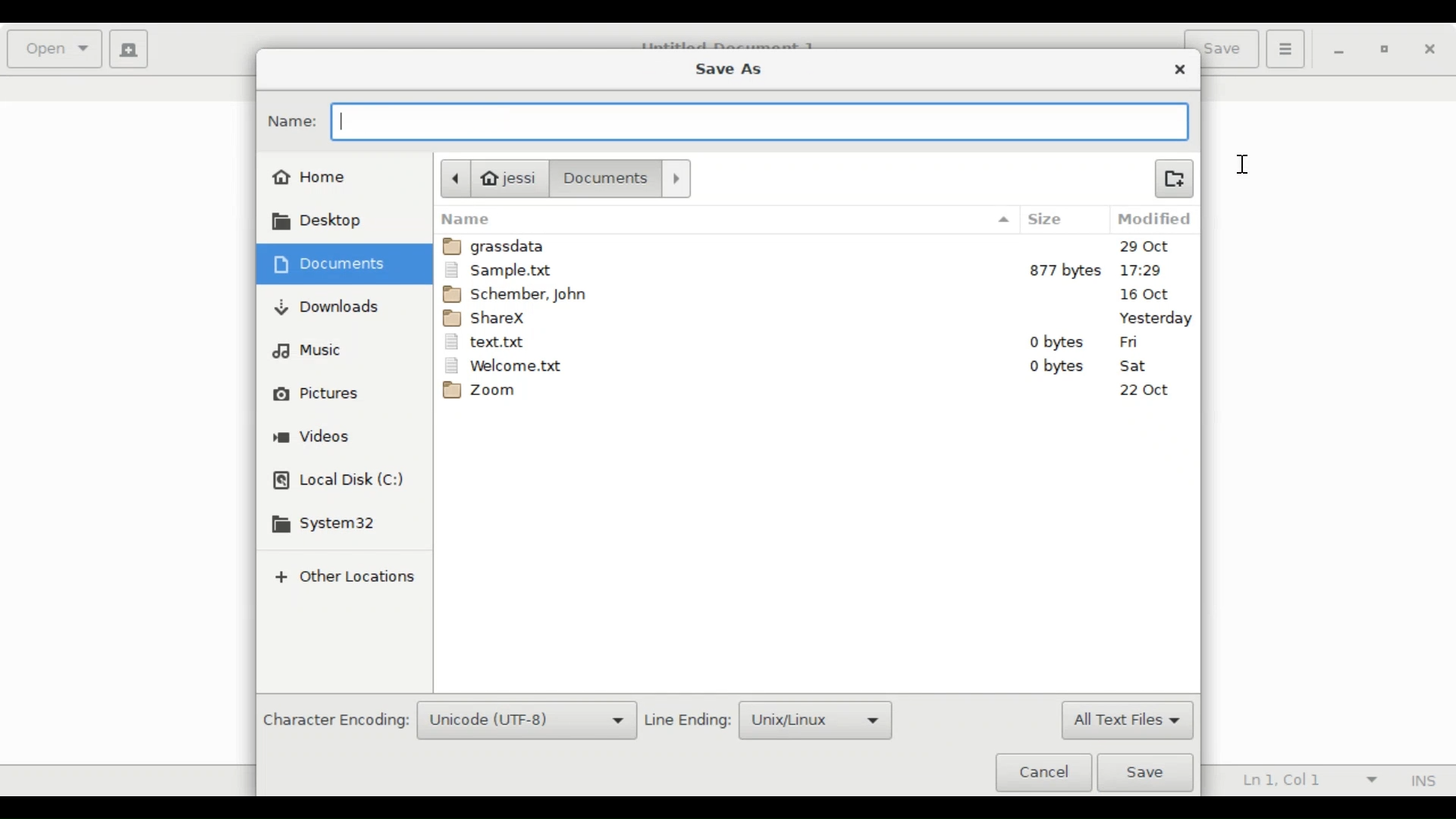 The width and height of the screenshot is (1456, 819). What do you see at coordinates (328, 306) in the screenshot?
I see `Downloads` at bounding box center [328, 306].